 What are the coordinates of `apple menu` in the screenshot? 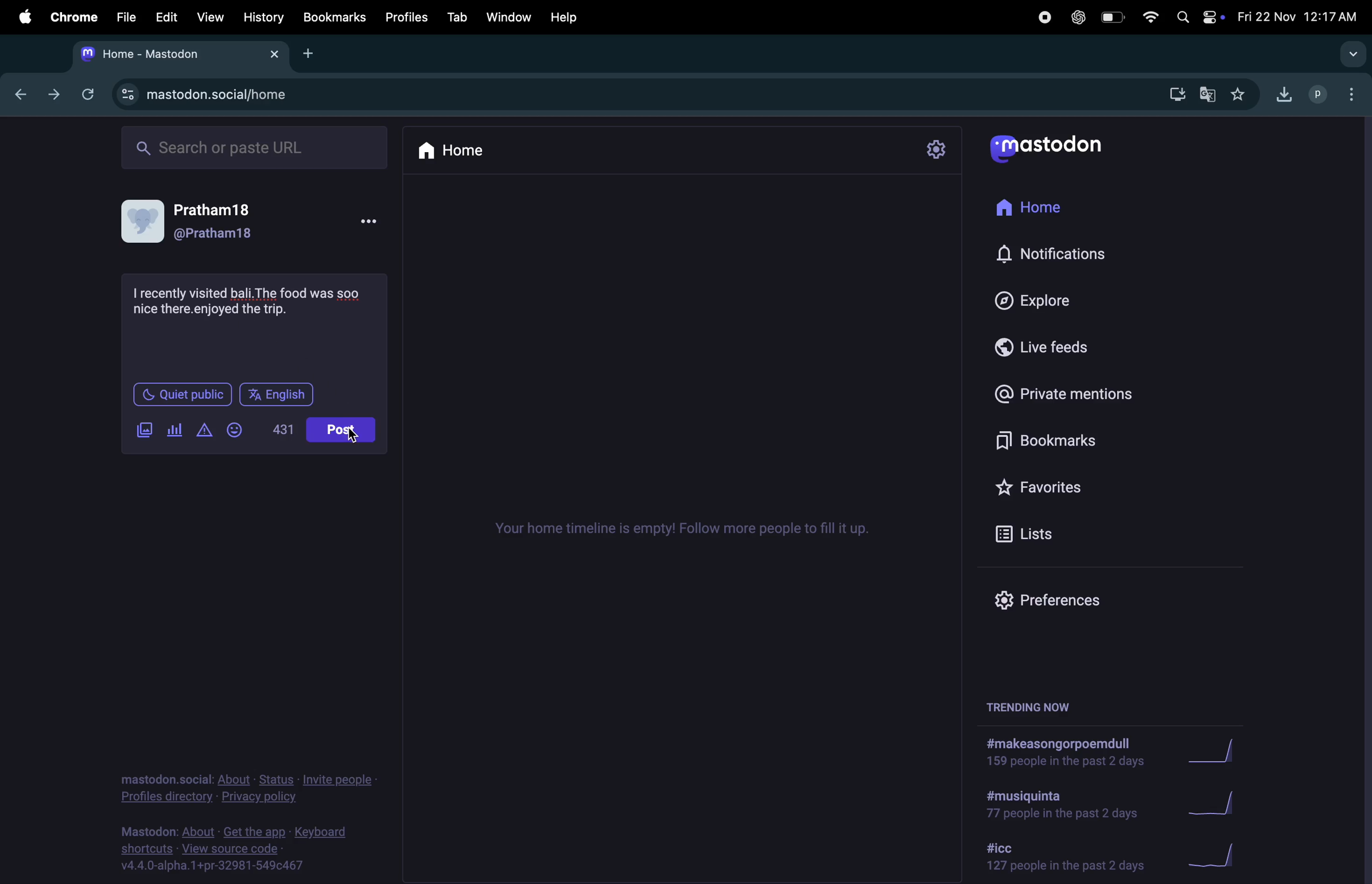 It's located at (25, 15).